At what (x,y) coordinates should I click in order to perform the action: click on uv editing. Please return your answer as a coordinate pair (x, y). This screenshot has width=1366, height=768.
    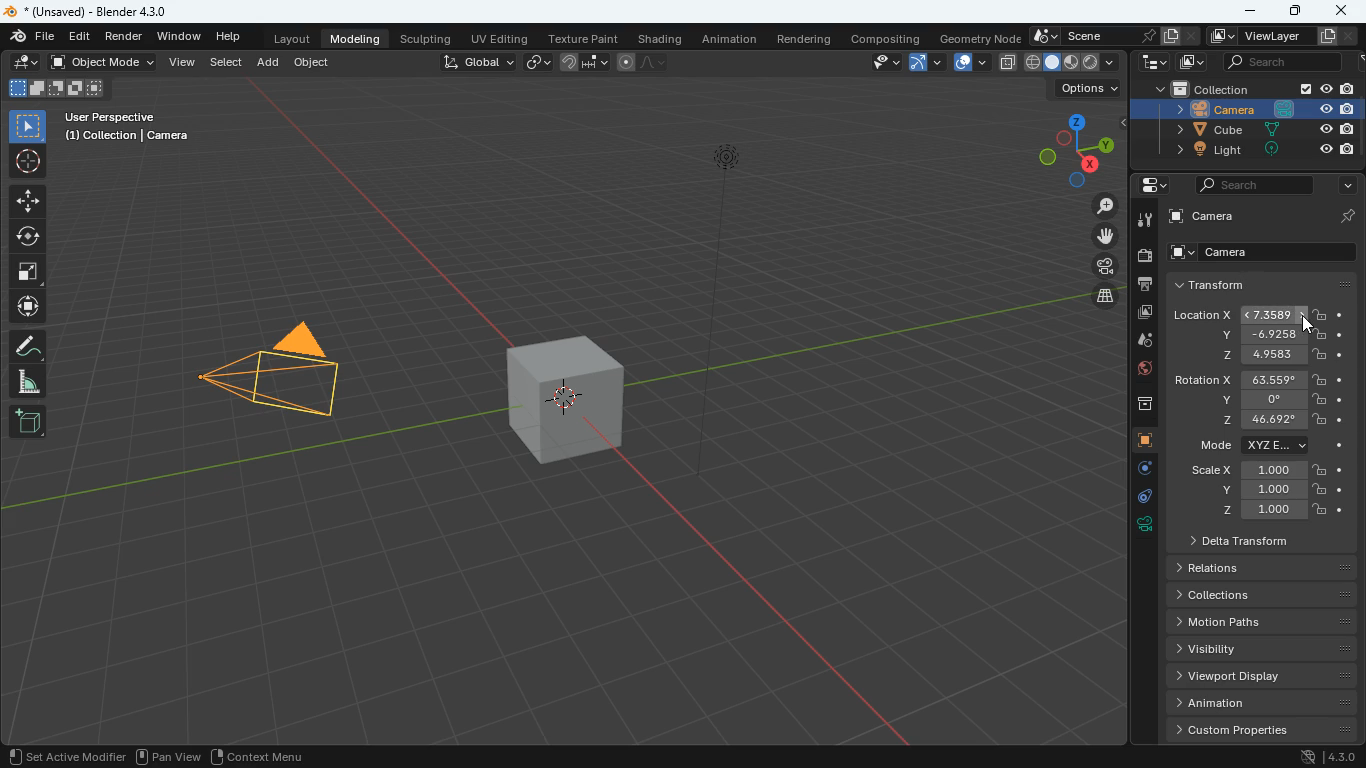
    Looking at the image, I should click on (500, 38).